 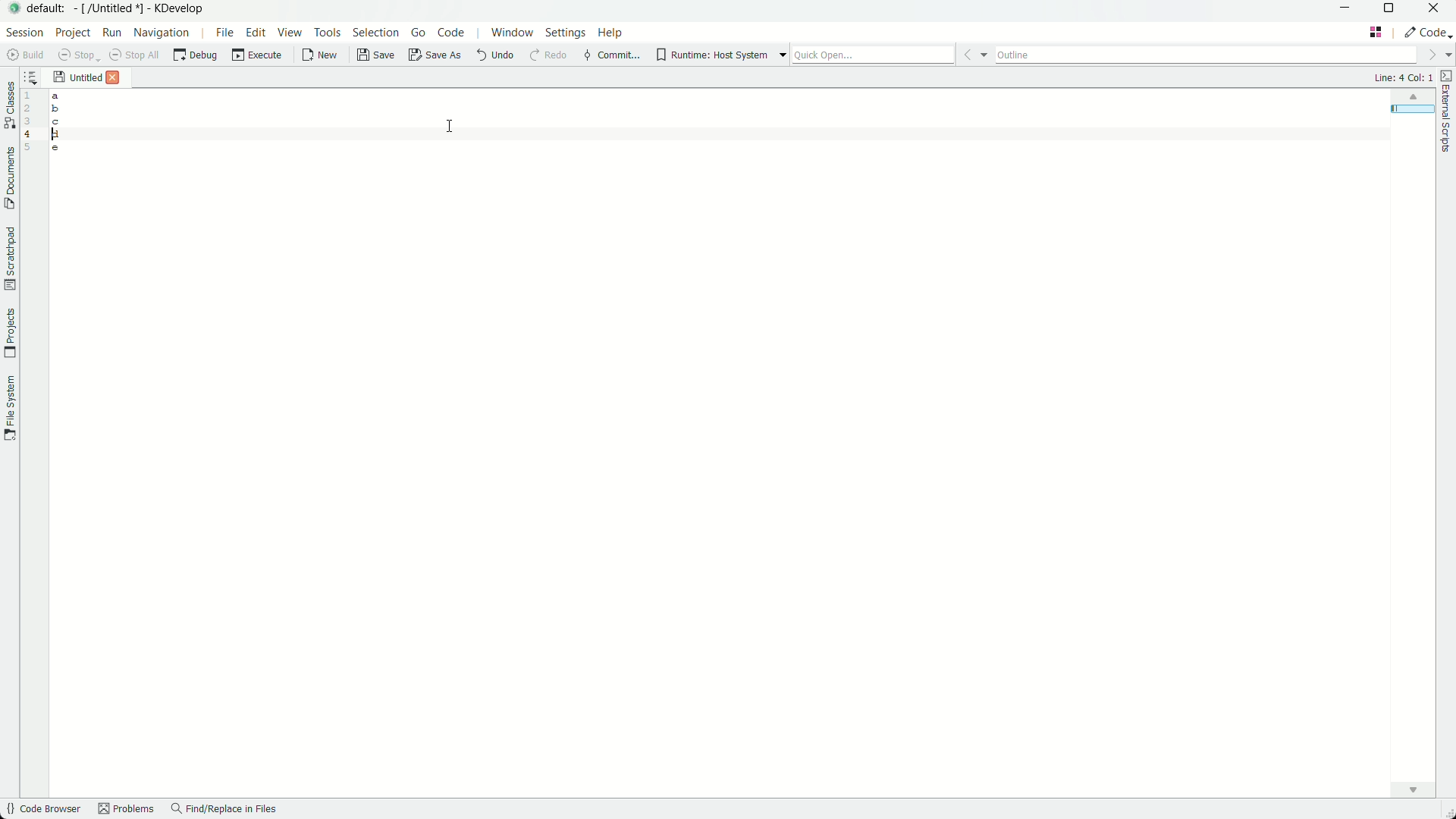 What do you see at coordinates (1389, 10) in the screenshot?
I see `maximize or restore` at bounding box center [1389, 10].